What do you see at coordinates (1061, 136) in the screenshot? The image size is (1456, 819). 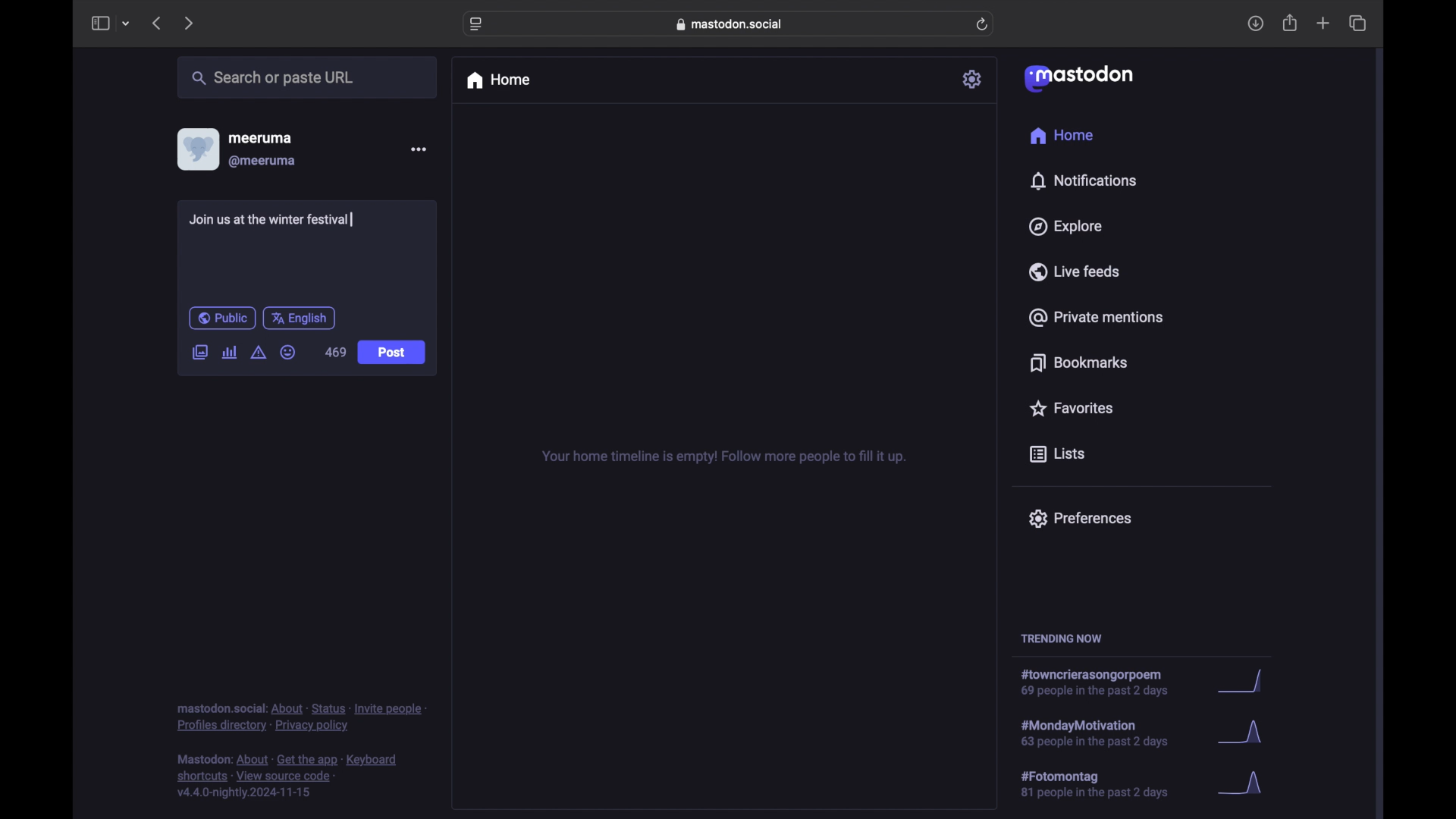 I see `home` at bounding box center [1061, 136].